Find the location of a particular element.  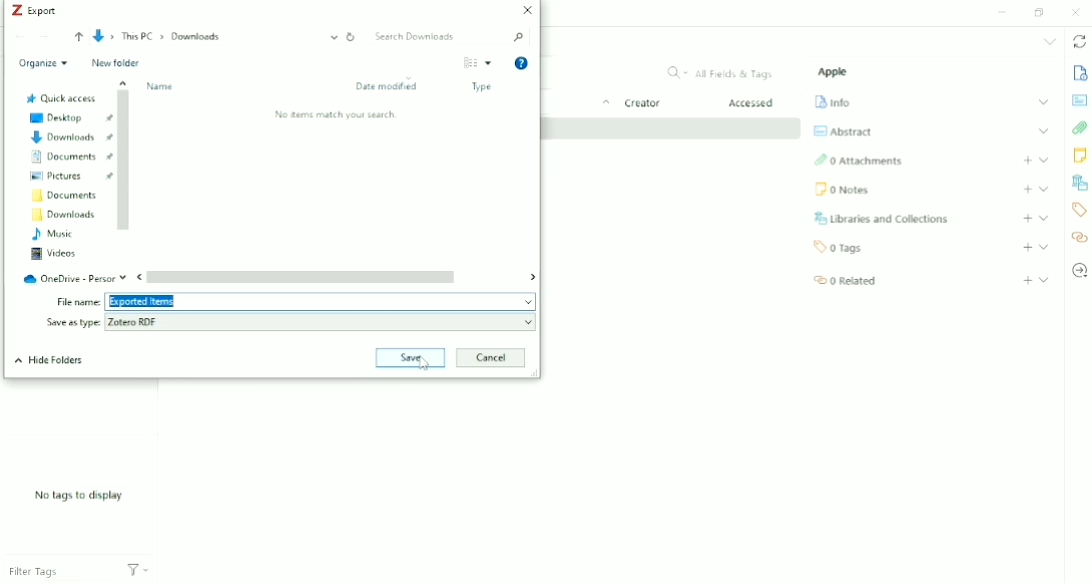

Close is located at coordinates (1078, 12).